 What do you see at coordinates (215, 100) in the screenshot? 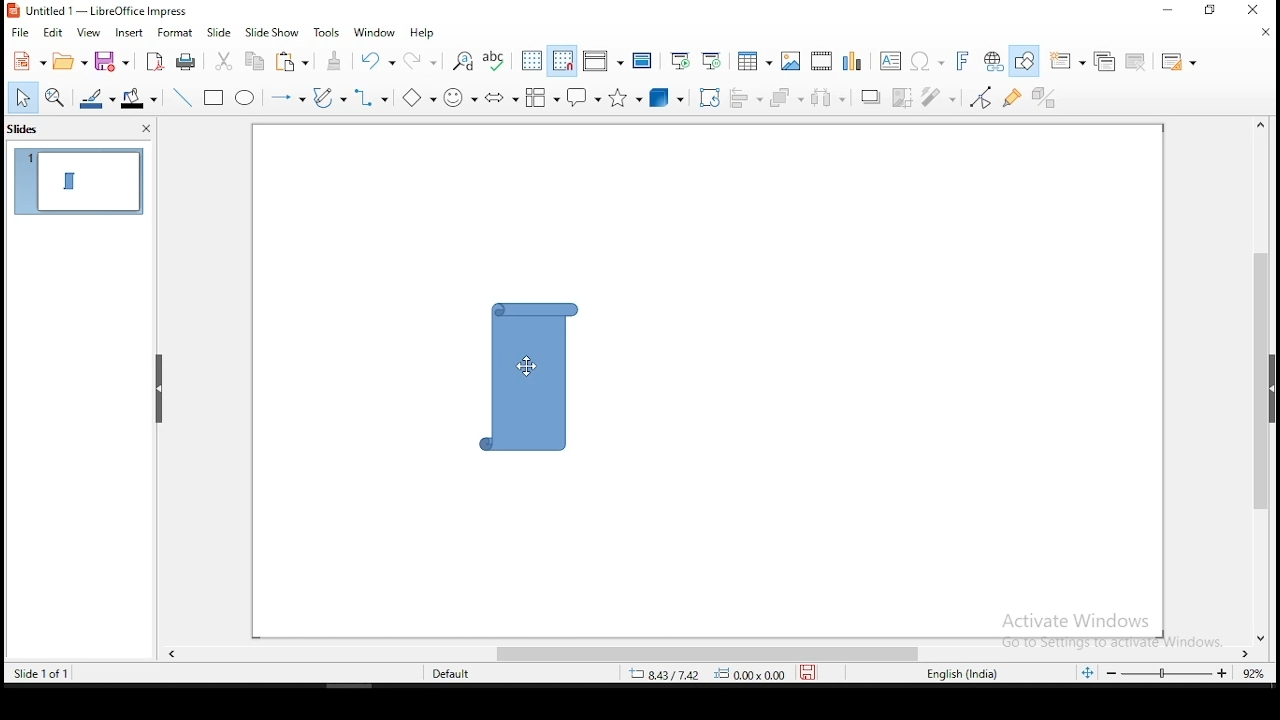
I see `rectangle` at bounding box center [215, 100].